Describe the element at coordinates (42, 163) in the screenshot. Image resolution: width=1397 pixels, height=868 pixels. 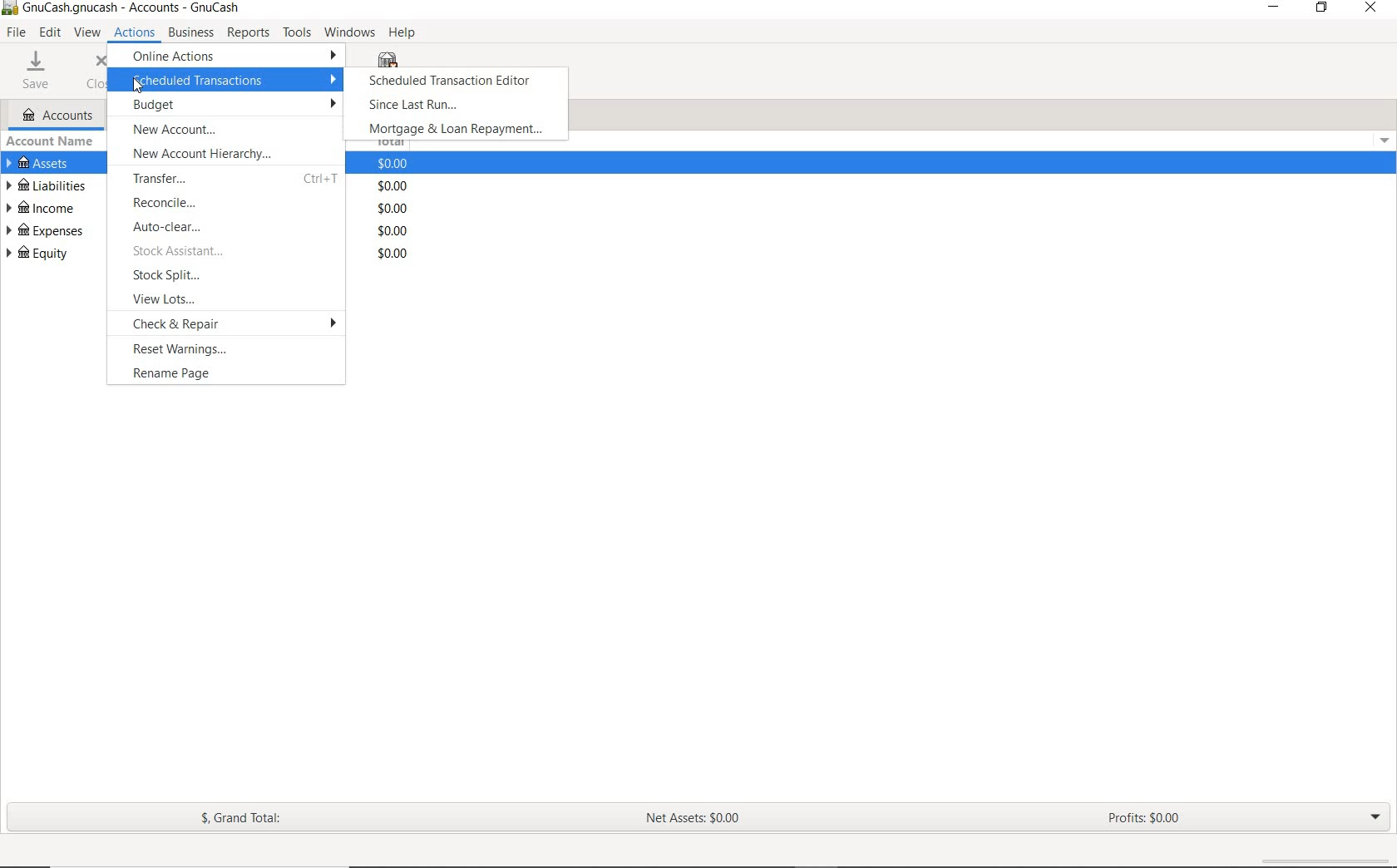
I see `ASSETS` at that location.